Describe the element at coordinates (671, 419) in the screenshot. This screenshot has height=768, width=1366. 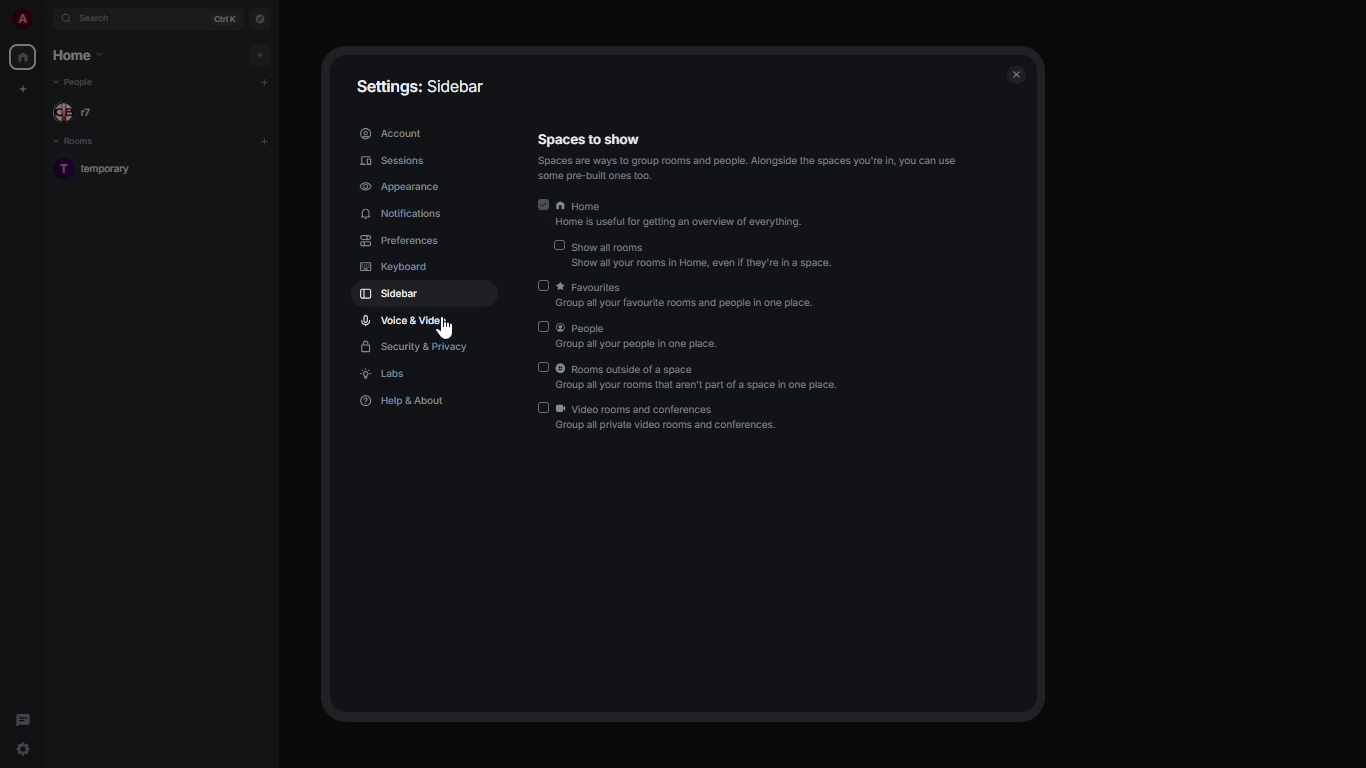
I see `video rooms and conferences` at that location.